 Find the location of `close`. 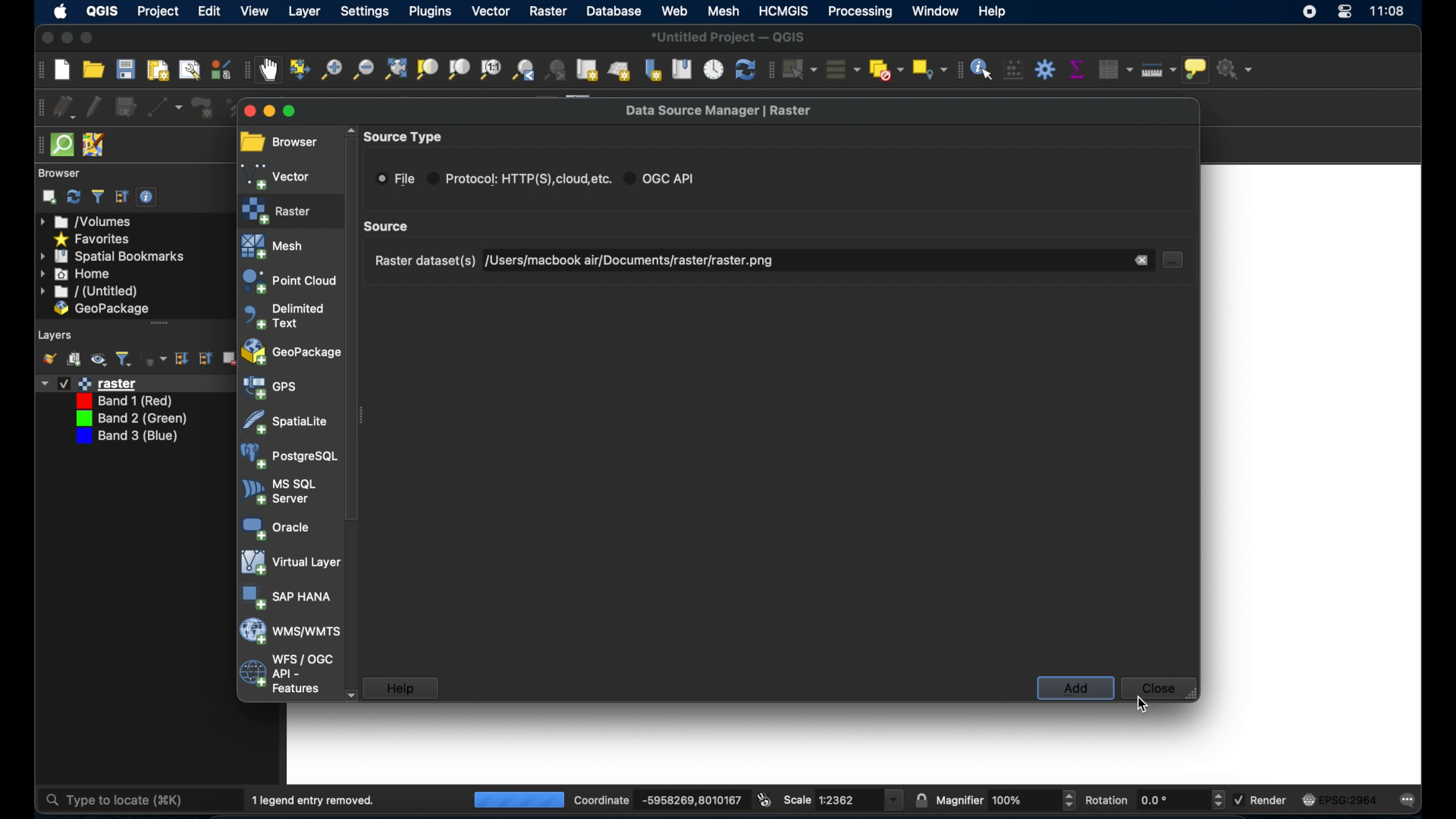

close is located at coordinates (44, 39).